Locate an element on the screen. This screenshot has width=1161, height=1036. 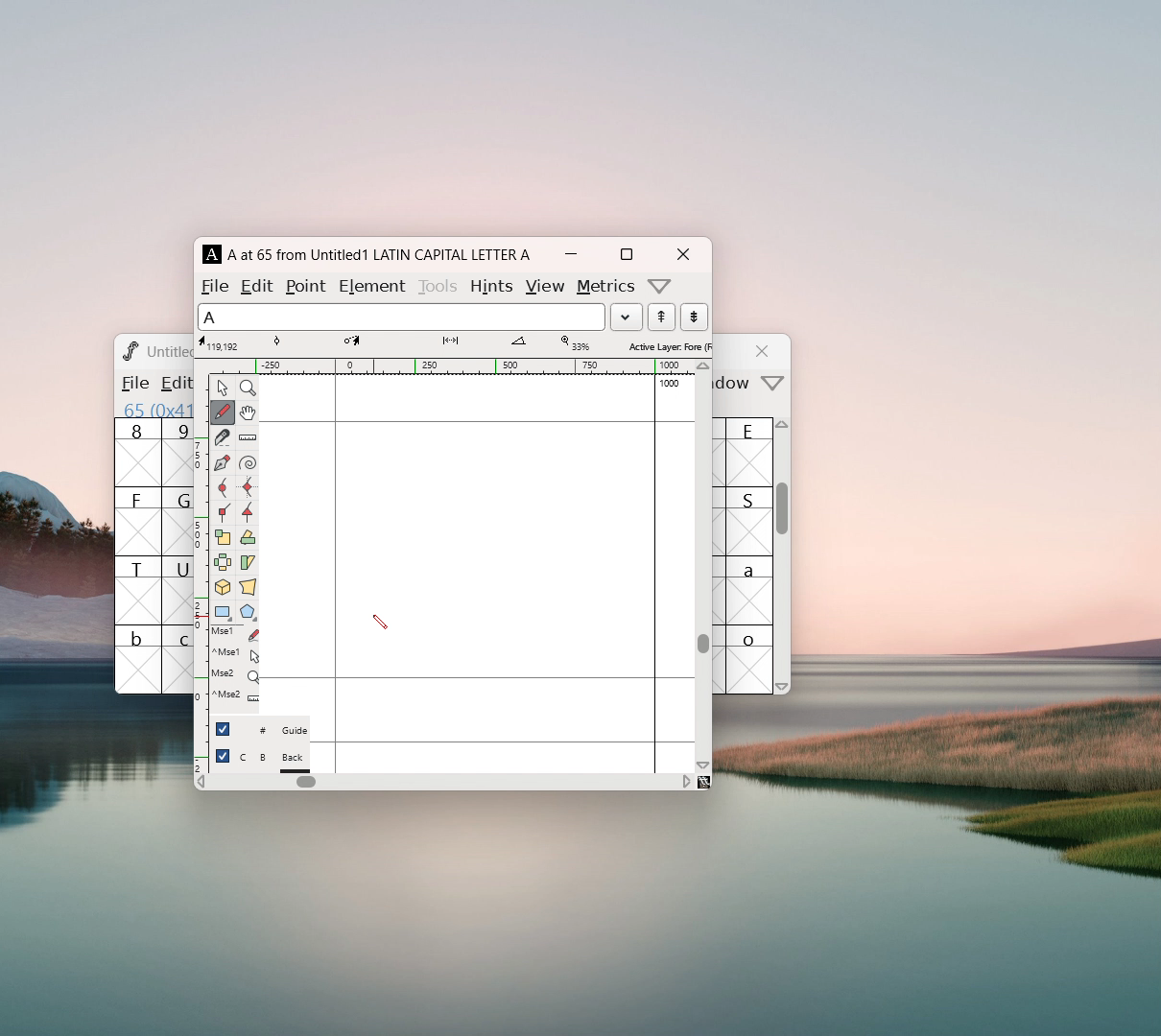
rectangle or ellipse is located at coordinates (224, 613).